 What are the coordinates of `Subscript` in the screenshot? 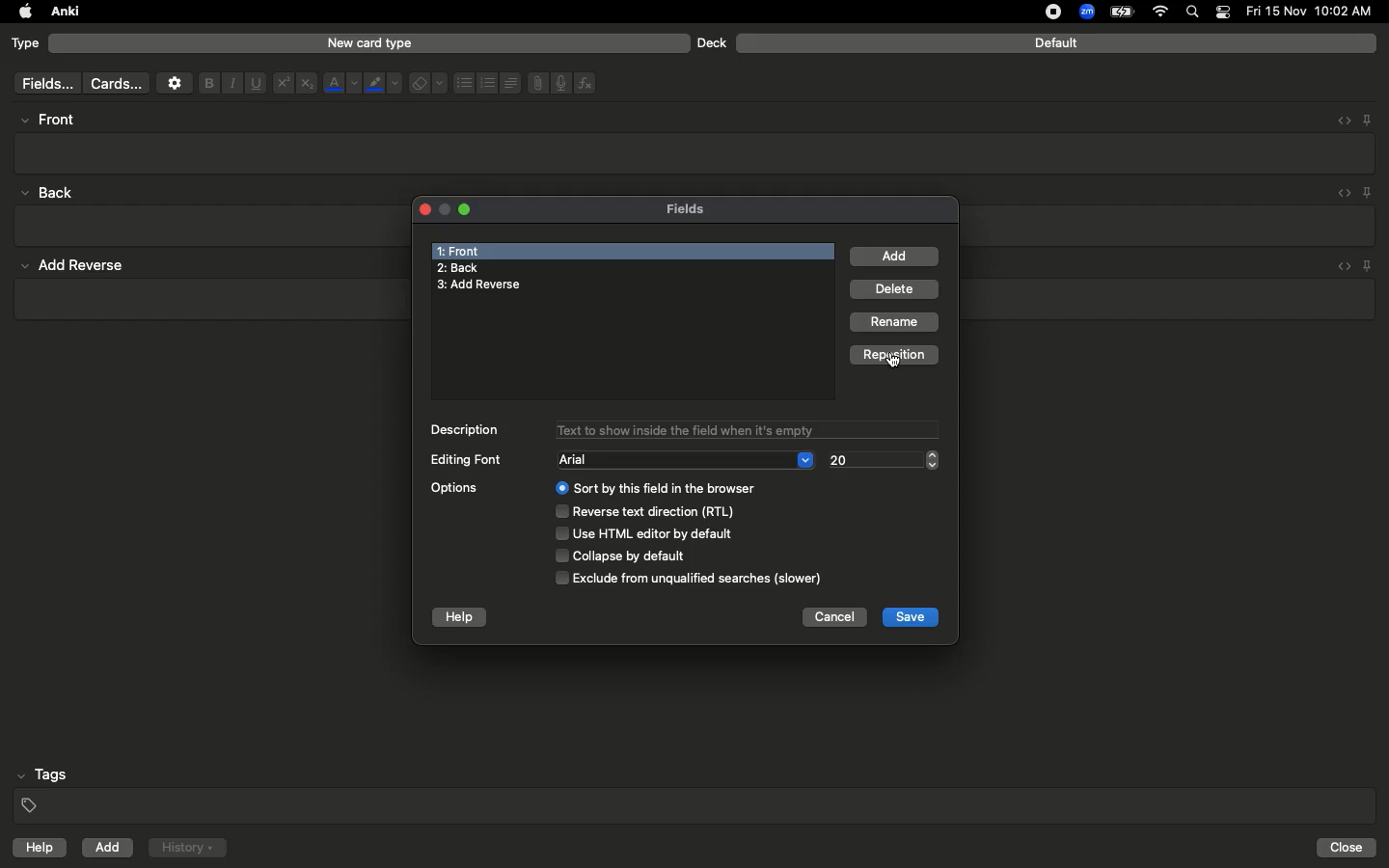 It's located at (307, 84).